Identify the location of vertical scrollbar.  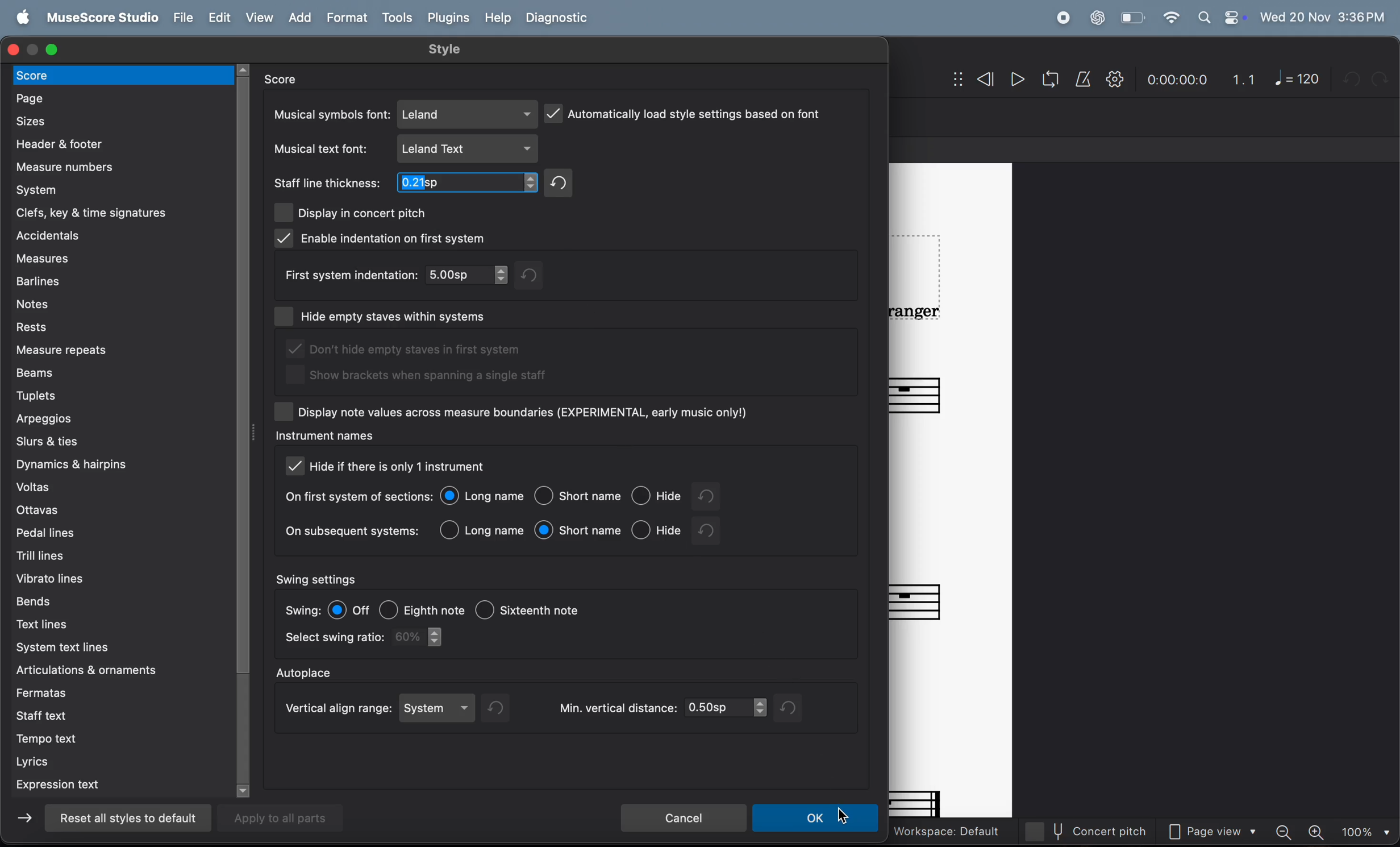
(247, 429).